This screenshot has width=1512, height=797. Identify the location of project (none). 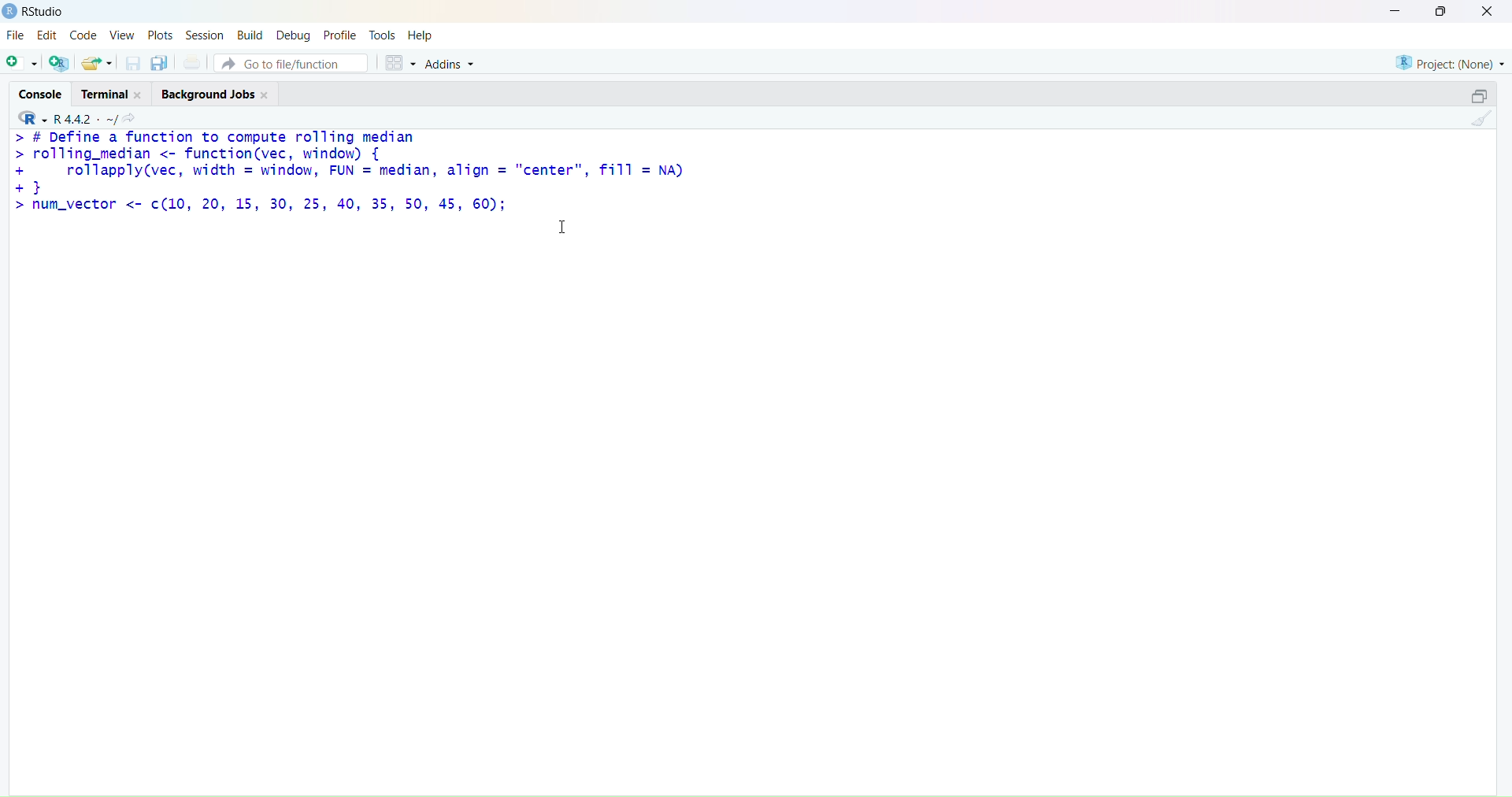
(1450, 63).